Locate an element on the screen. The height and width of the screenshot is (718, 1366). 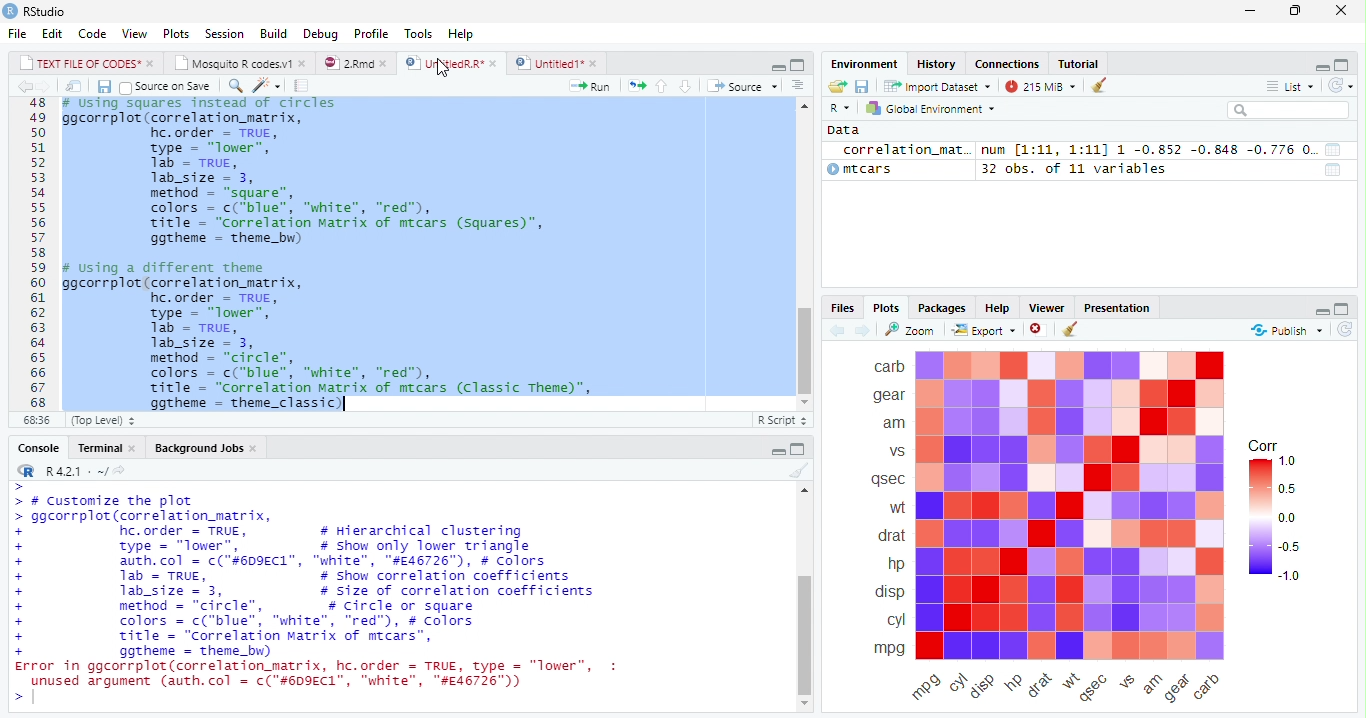
go back to the previous source location is located at coordinates (28, 88).